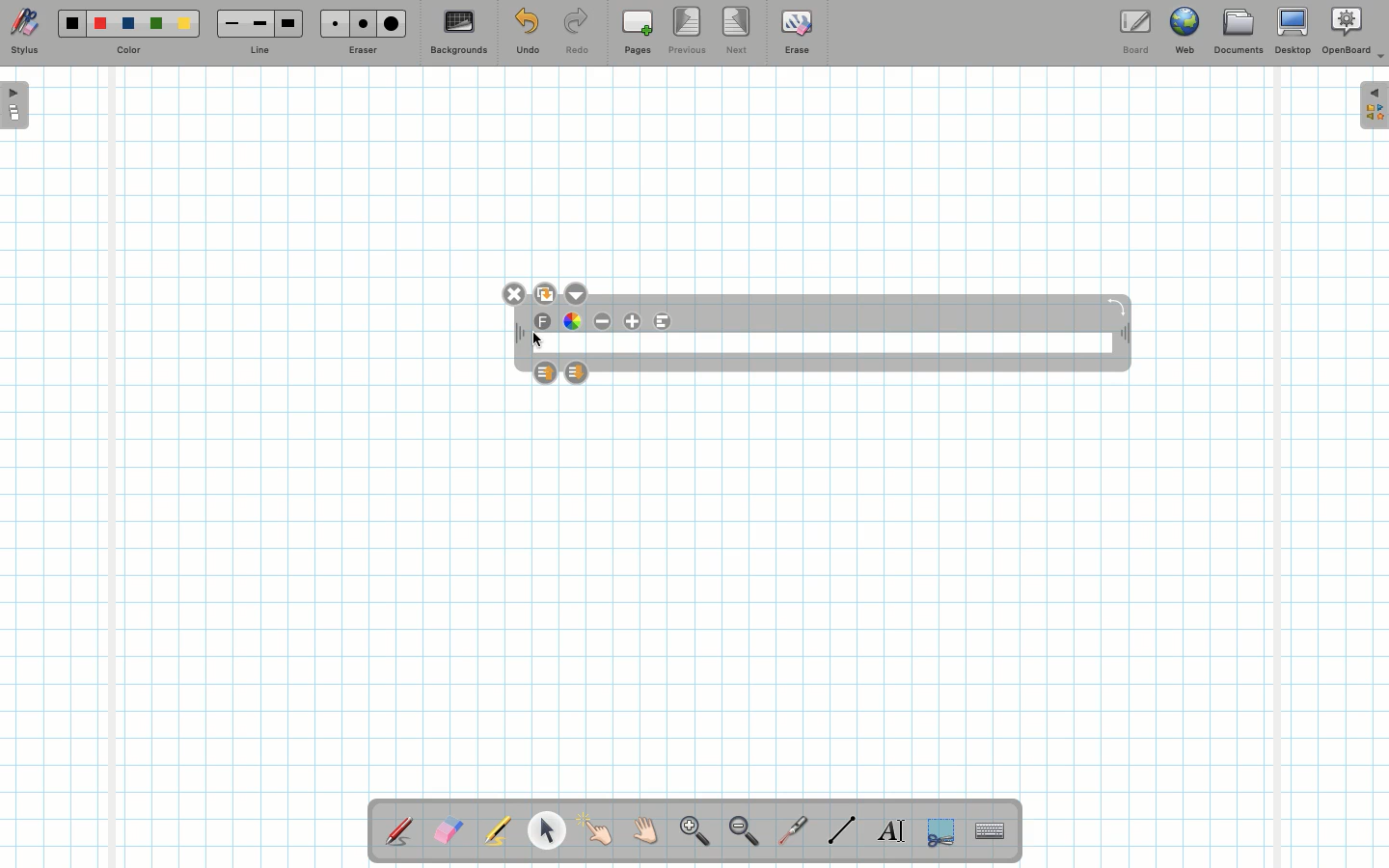 This screenshot has width=1389, height=868. What do you see at coordinates (362, 52) in the screenshot?
I see `Eraser` at bounding box center [362, 52].